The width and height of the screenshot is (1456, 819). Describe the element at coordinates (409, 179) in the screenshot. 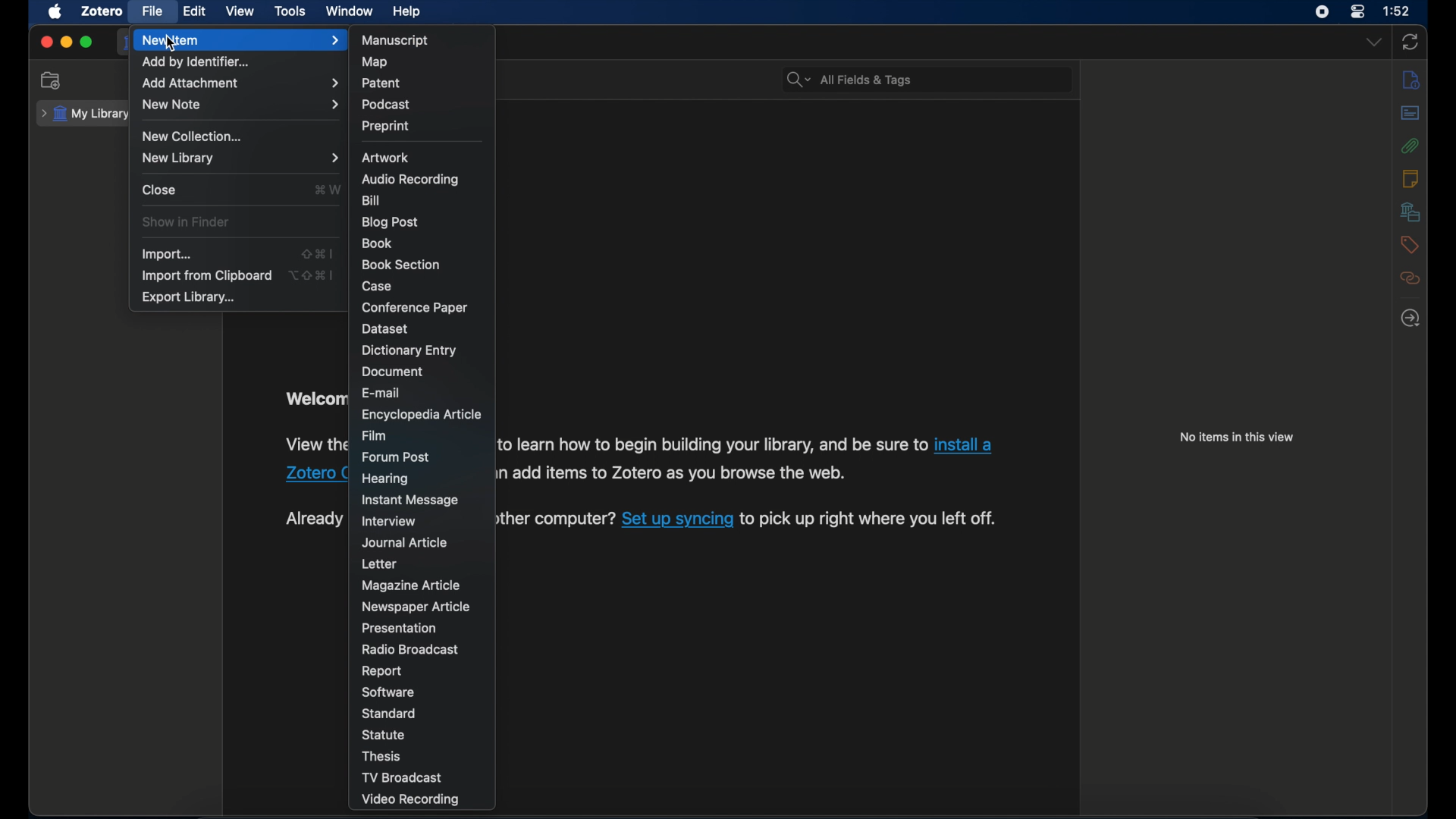

I see `audio recording` at that location.